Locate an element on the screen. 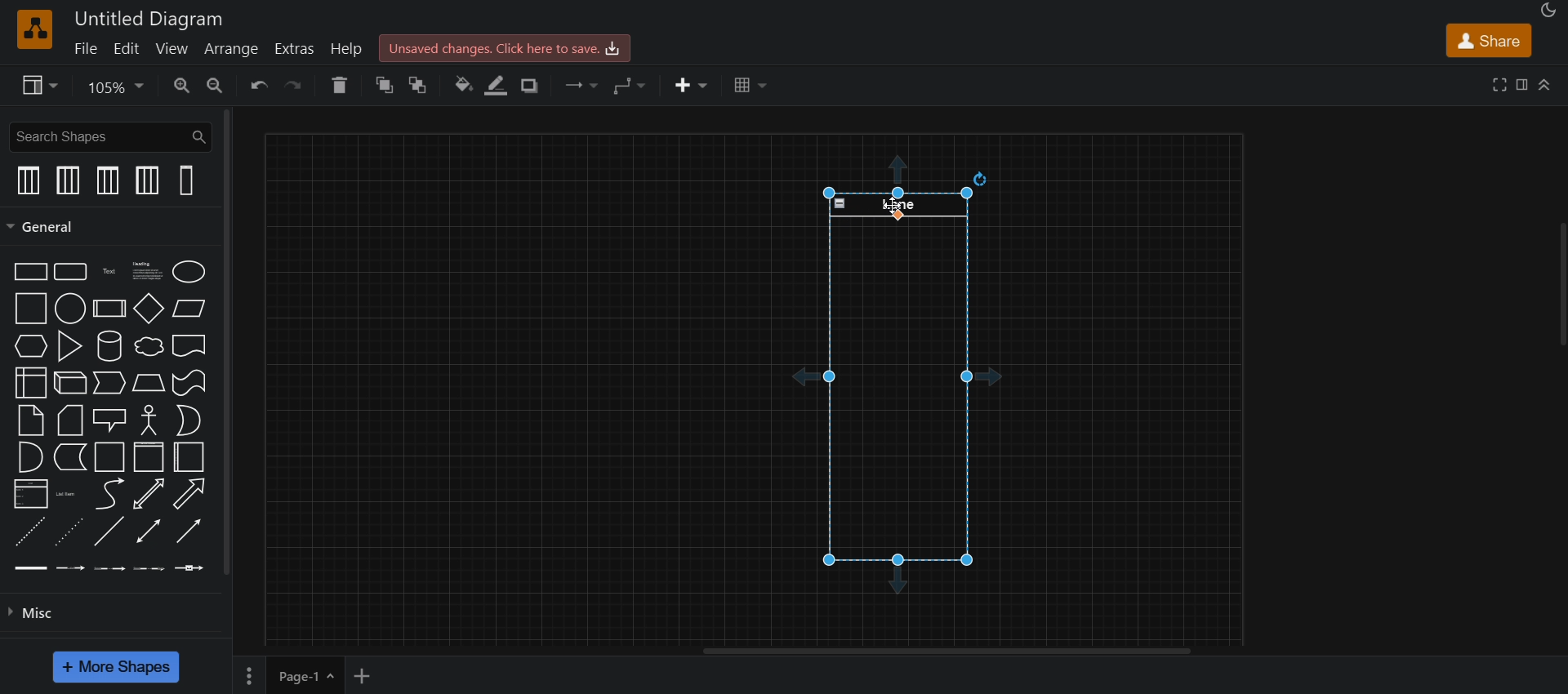 This screenshot has width=1568, height=694. data storage is located at coordinates (69, 459).